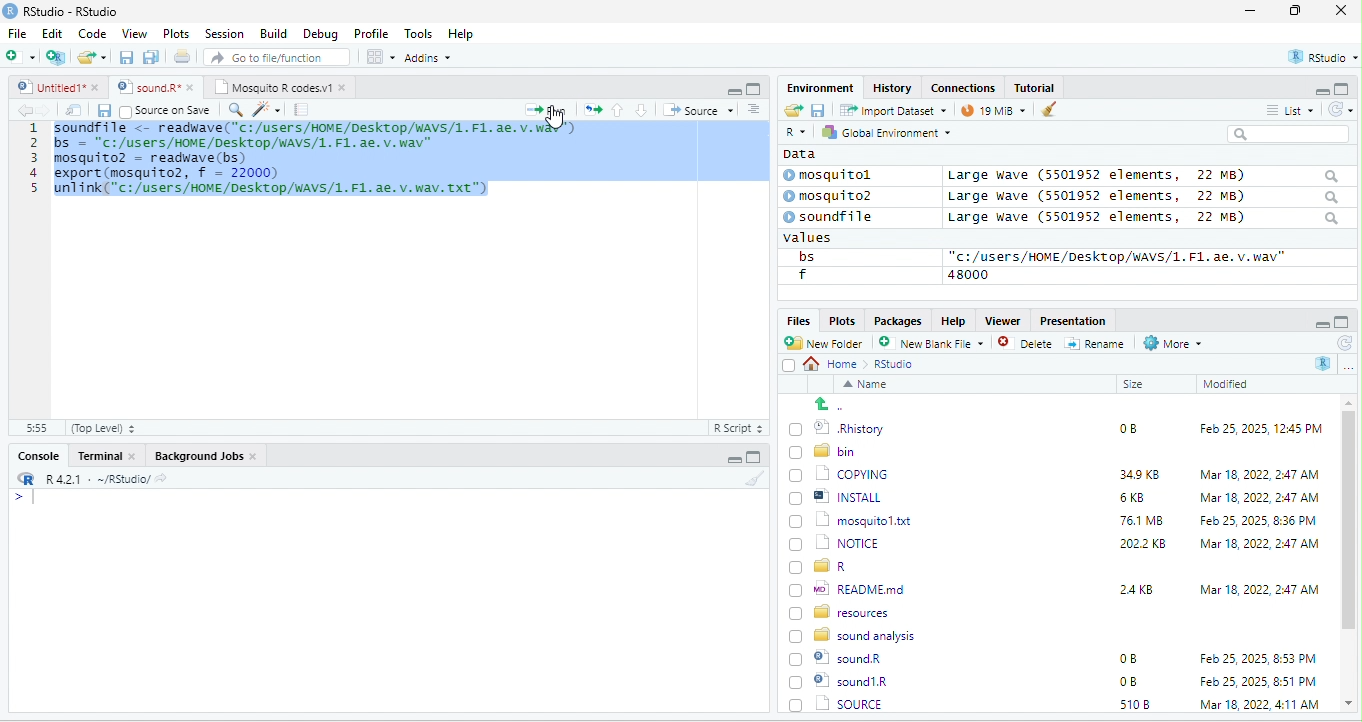 This screenshot has width=1362, height=722. What do you see at coordinates (797, 153) in the screenshot?
I see `data` at bounding box center [797, 153].